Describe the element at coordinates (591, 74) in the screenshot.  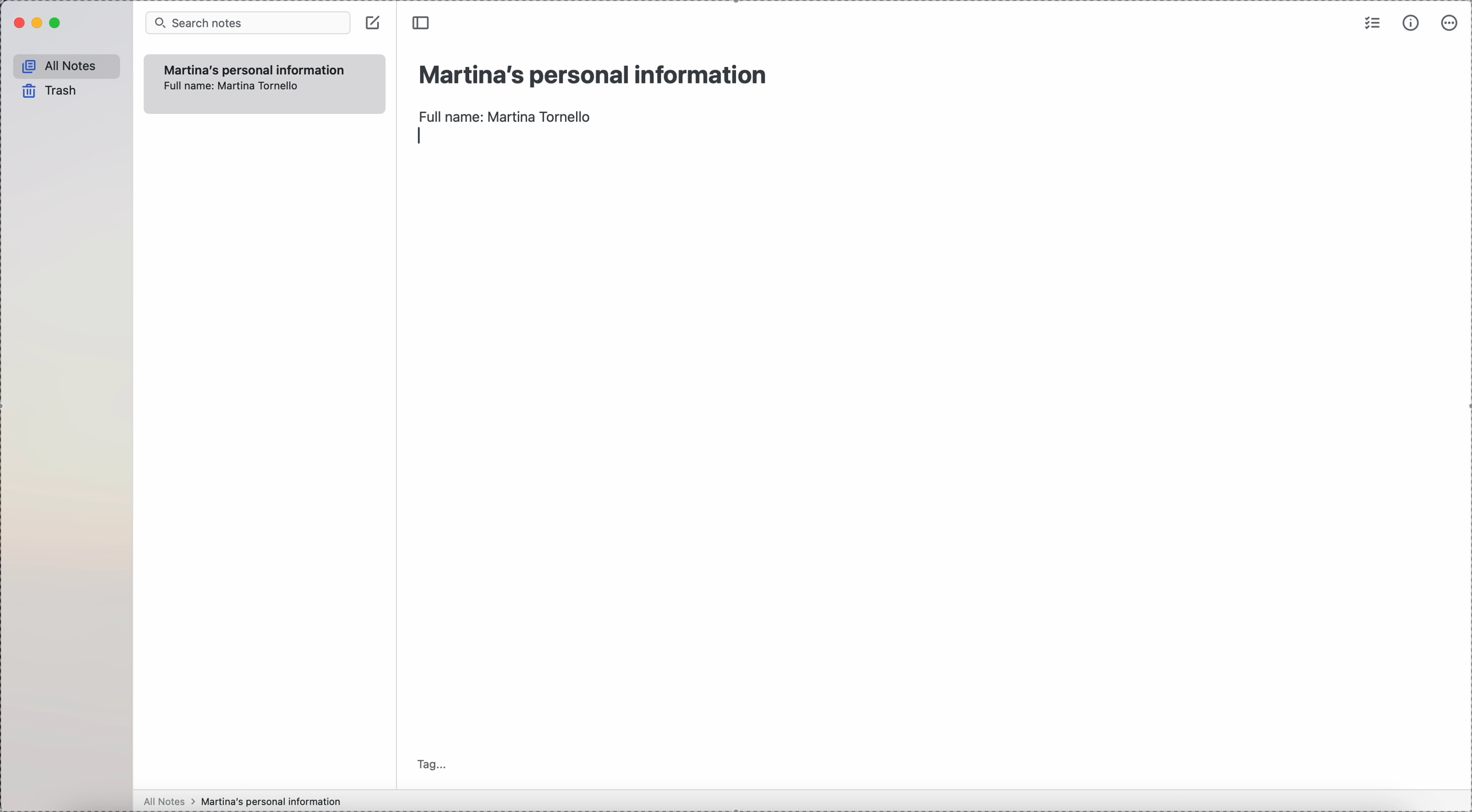
I see `title: Martina's personal information` at that location.